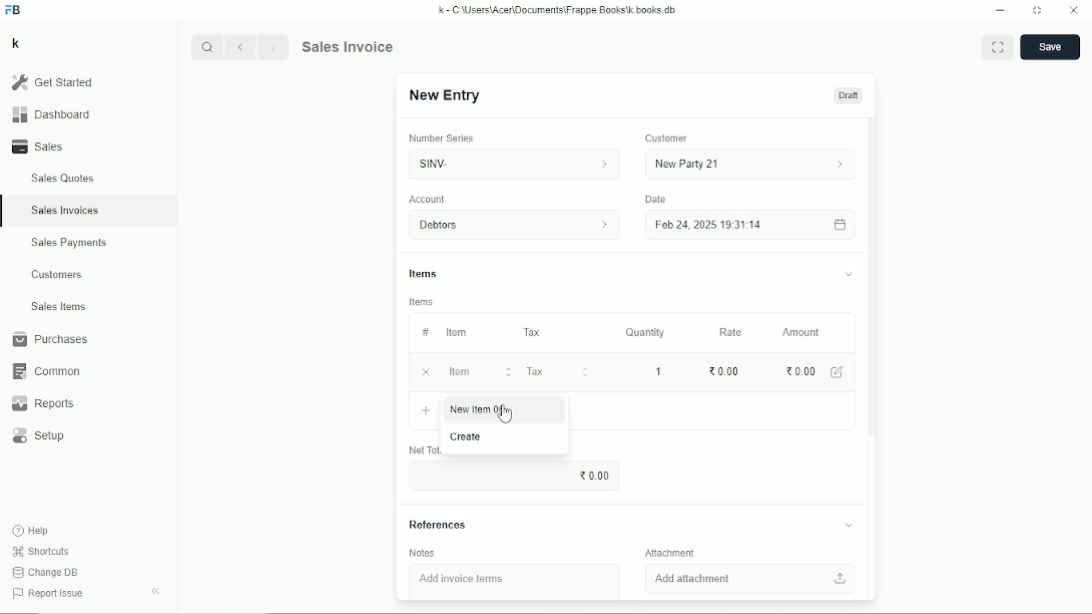  Describe the element at coordinates (594, 476) in the screenshot. I see `0.00` at that location.